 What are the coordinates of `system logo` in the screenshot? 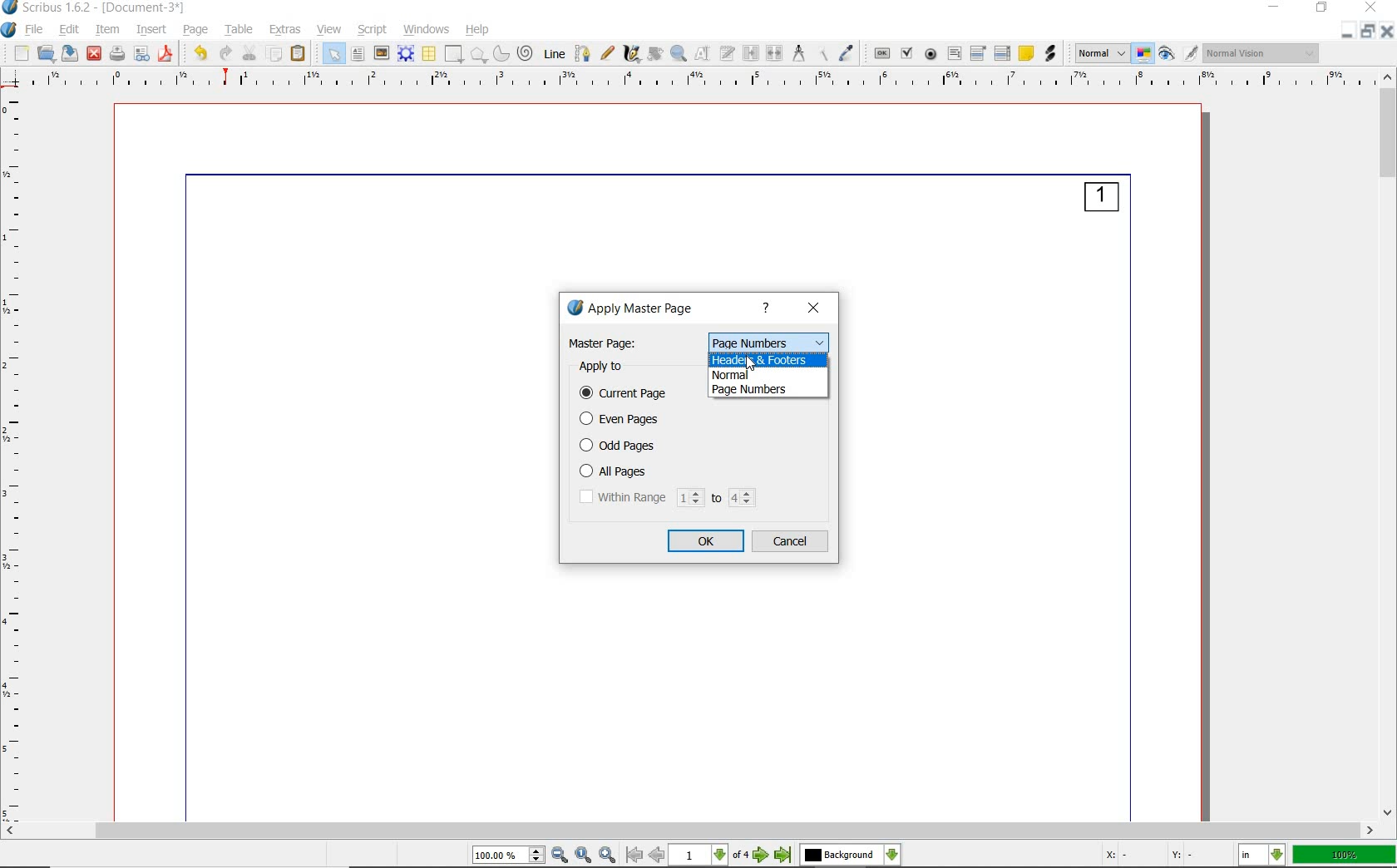 It's located at (9, 31).